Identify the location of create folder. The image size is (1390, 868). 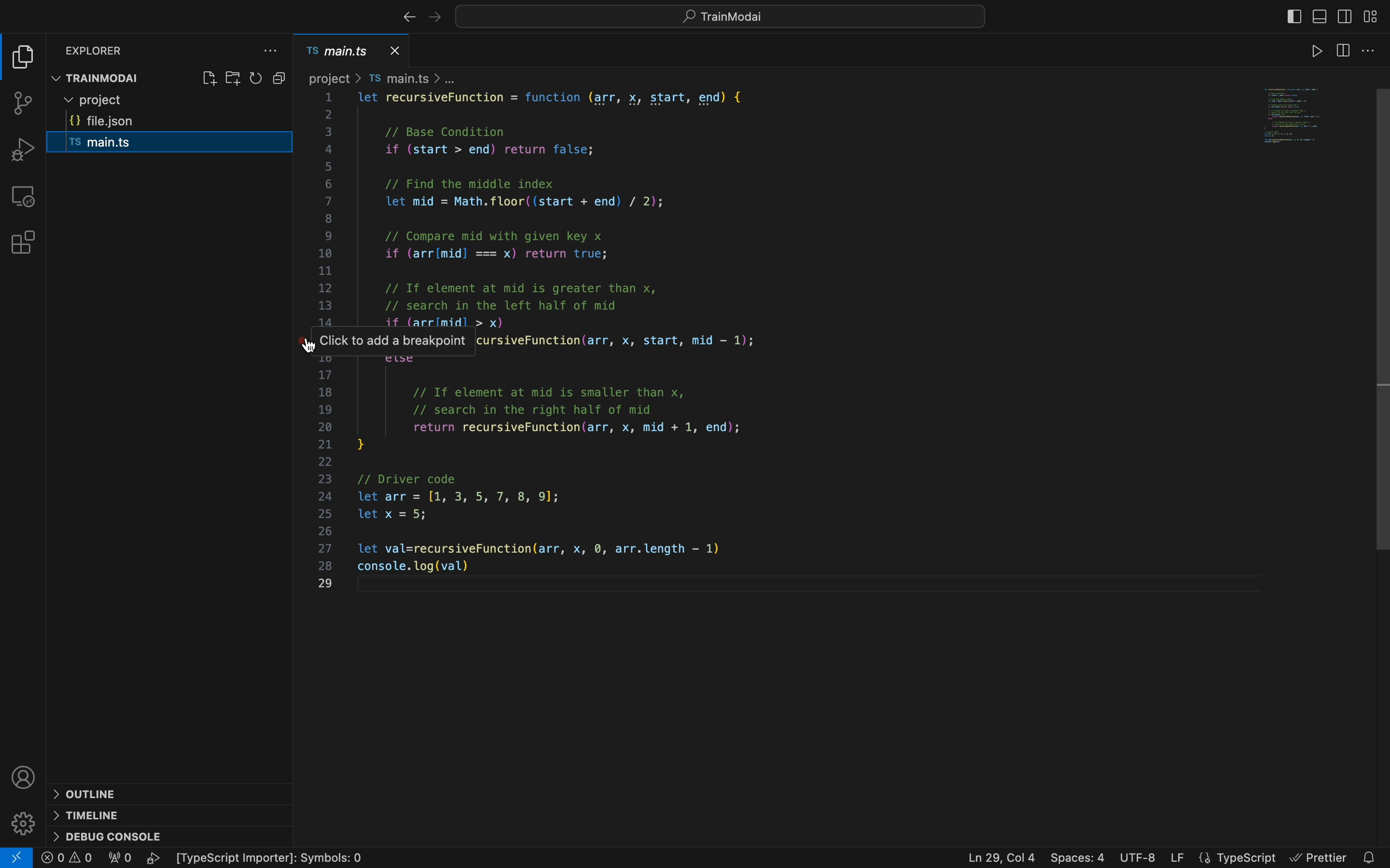
(235, 80).